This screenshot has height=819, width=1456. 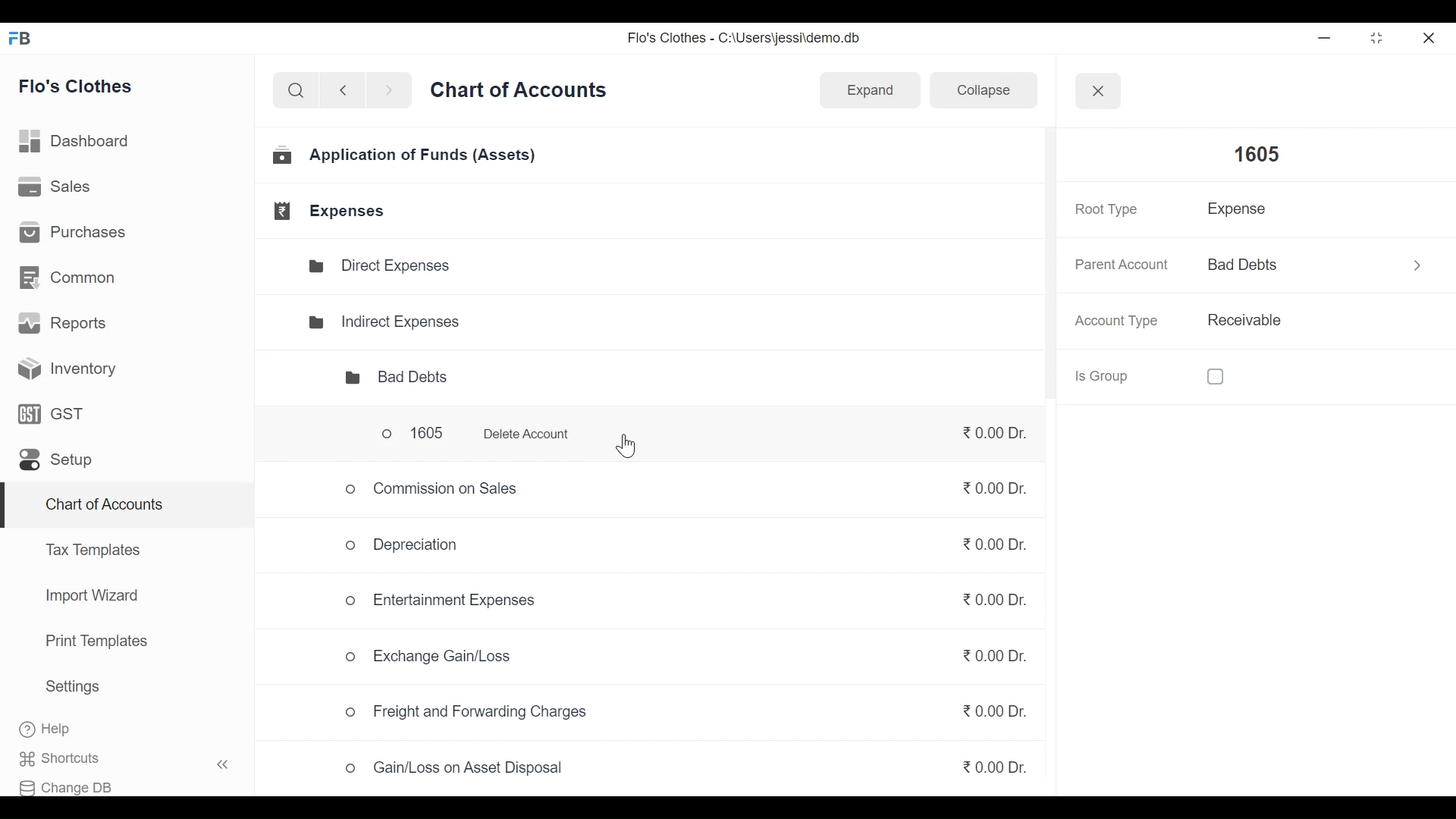 What do you see at coordinates (391, 93) in the screenshot?
I see `next` at bounding box center [391, 93].